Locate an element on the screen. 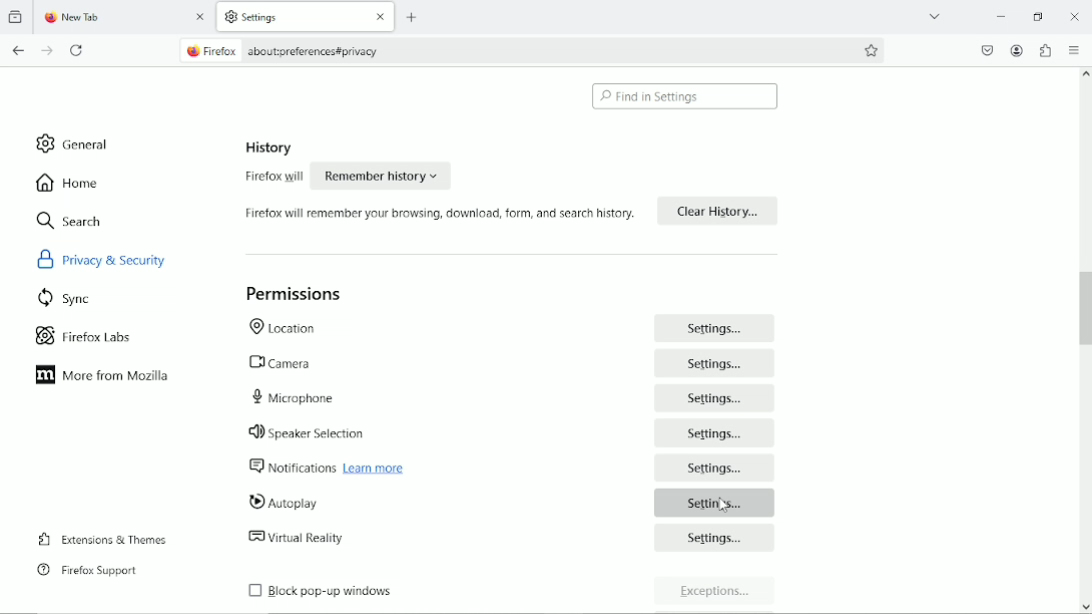 The width and height of the screenshot is (1092, 614). minimize is located at coordinates (1001, 15).